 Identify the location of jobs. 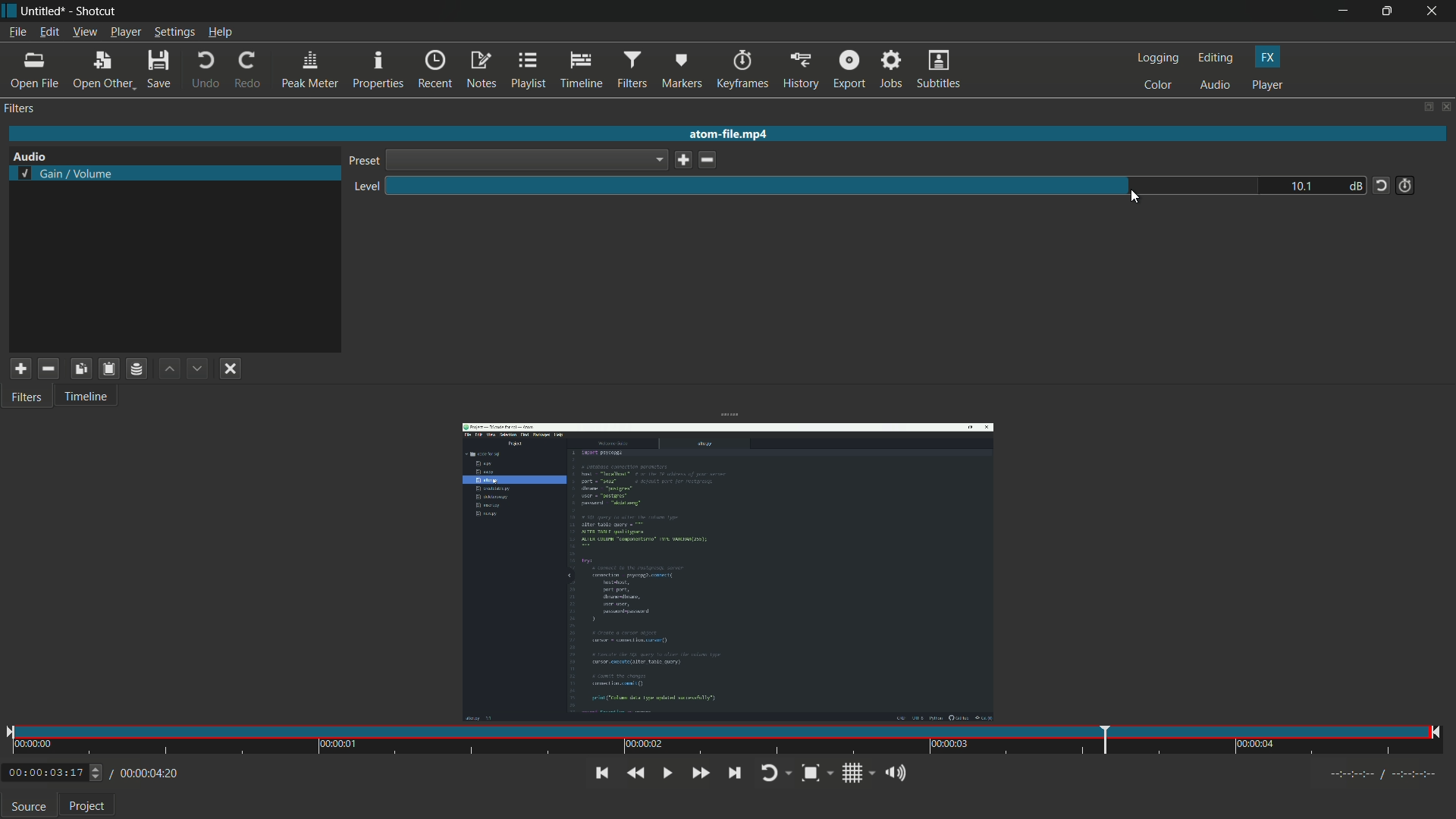
(893, 71).